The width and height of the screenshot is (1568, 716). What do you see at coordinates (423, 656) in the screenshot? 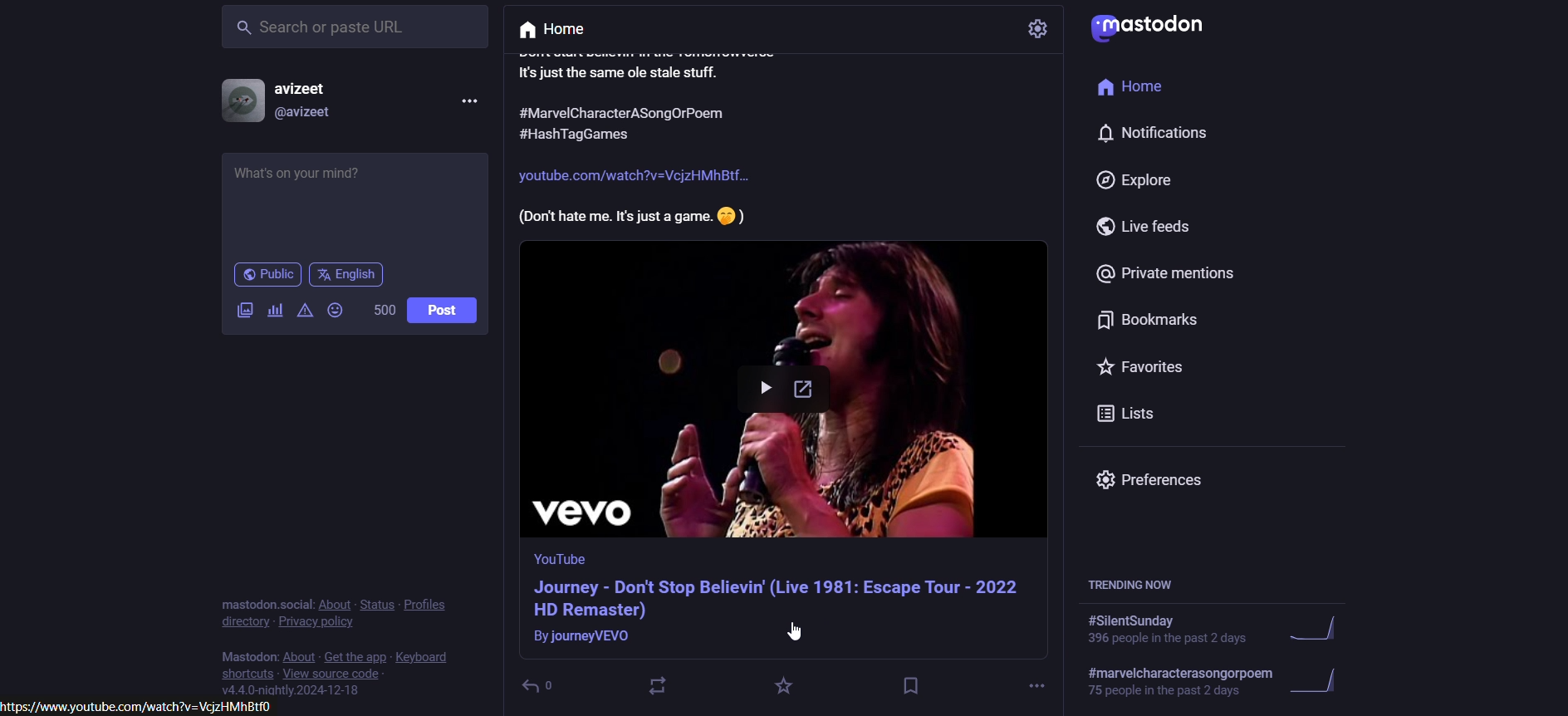
I see `keyboard` at bounding box center [423, 656].